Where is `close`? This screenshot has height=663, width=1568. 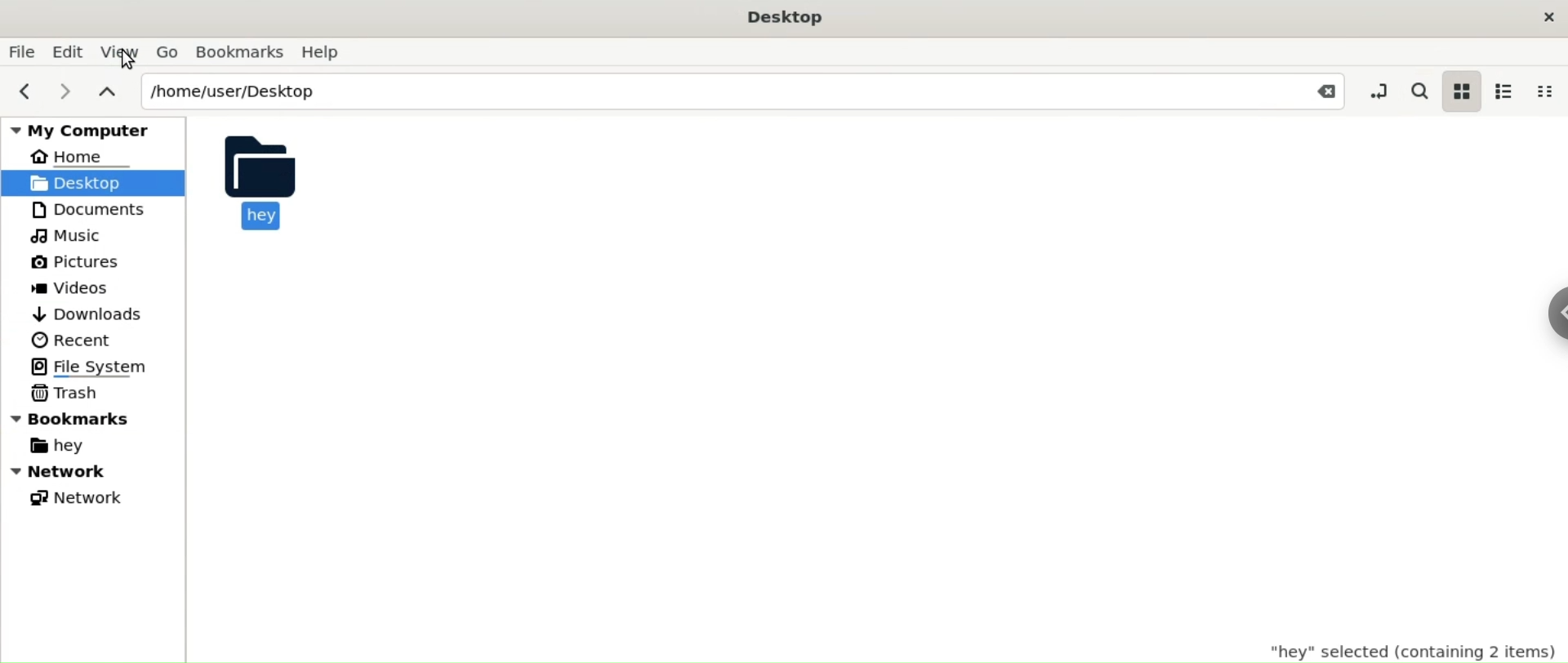 close is located at coordinates (1548, 18).